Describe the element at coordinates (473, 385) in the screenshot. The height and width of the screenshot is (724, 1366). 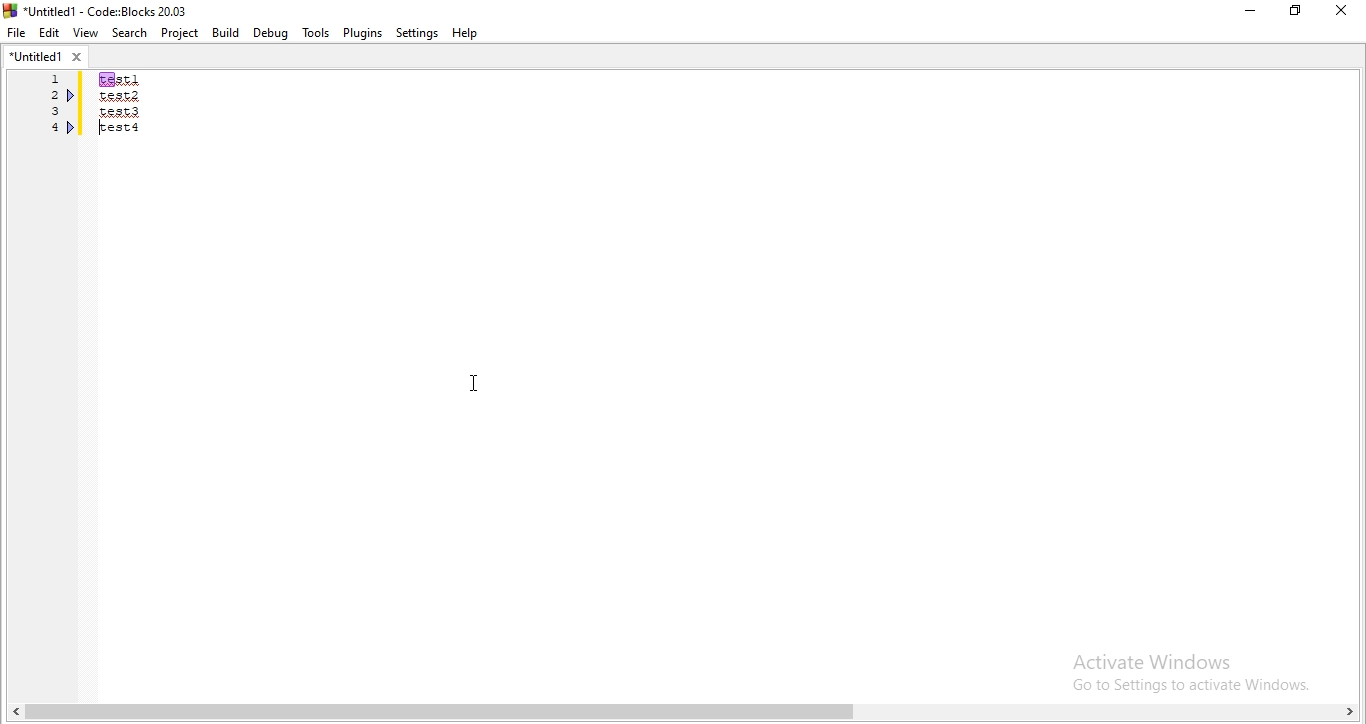
I see `cursor` at that location.